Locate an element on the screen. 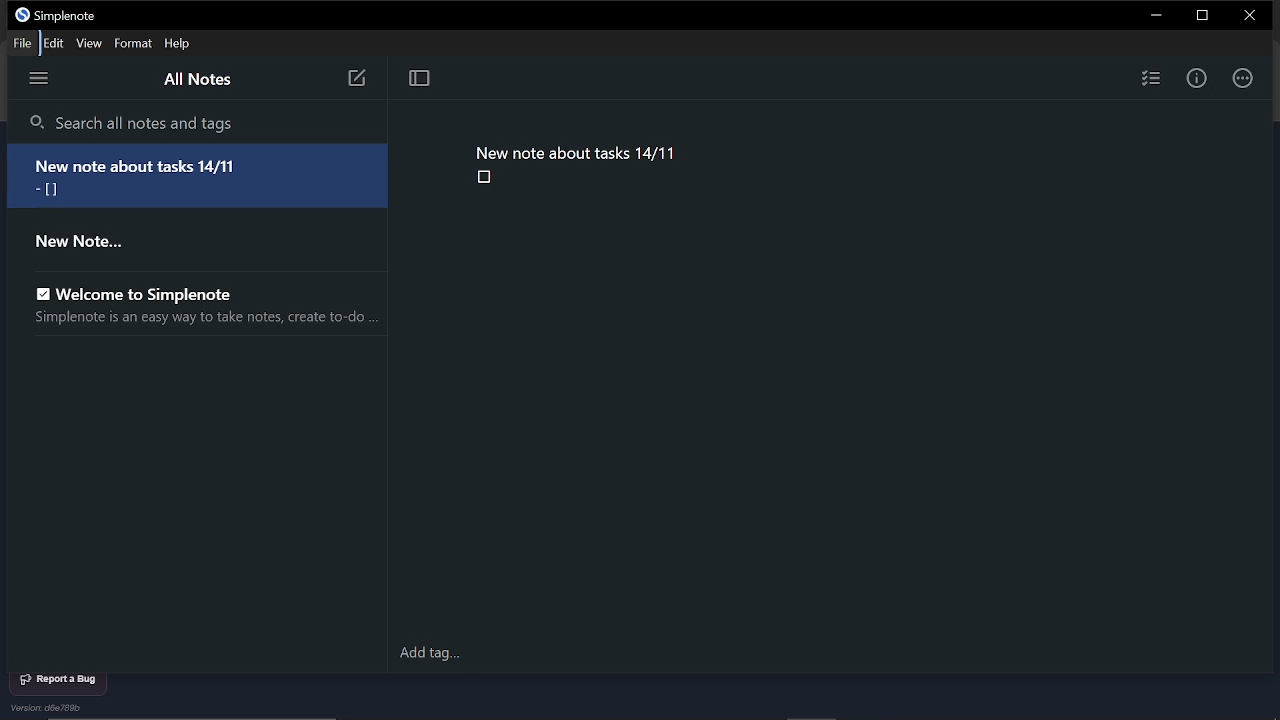 The image size is (1280, 720). Restoe down is located at coordinates (1200, 16).